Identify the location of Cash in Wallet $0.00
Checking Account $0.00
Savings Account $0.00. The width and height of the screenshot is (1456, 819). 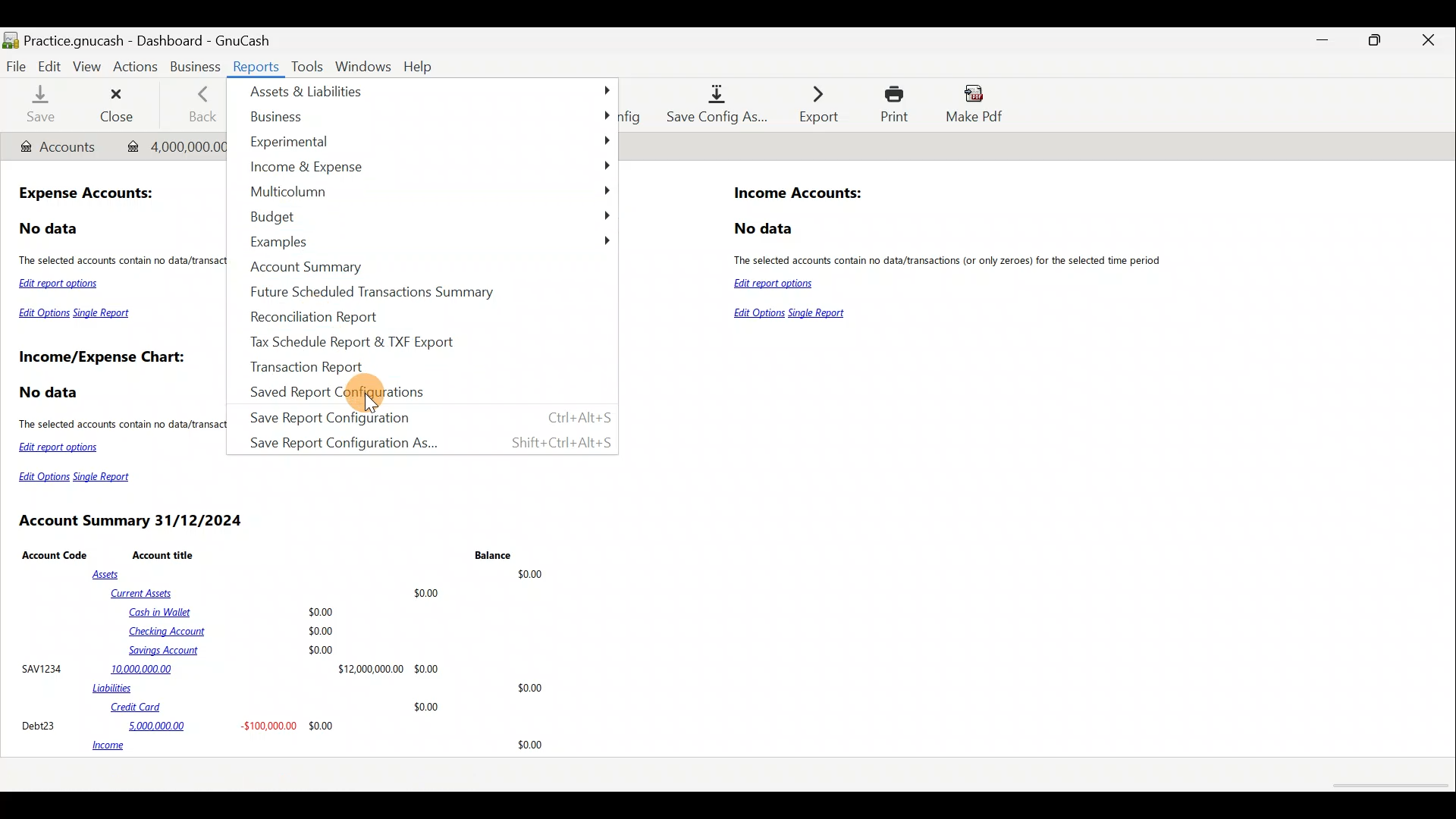
(234, 631).